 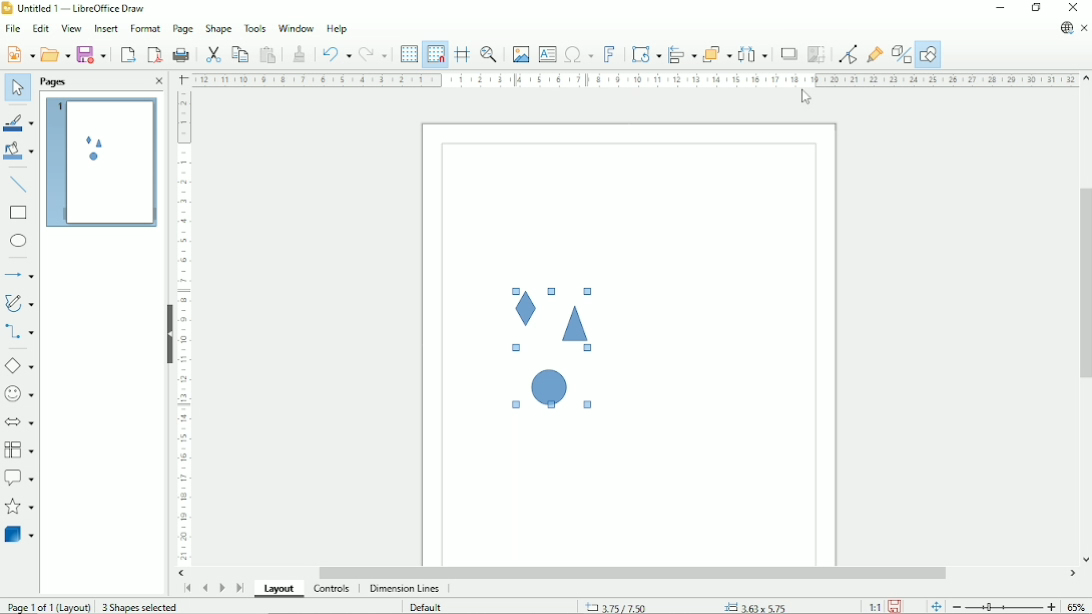 I want to click on Distribute, so click(x=753, y=54).